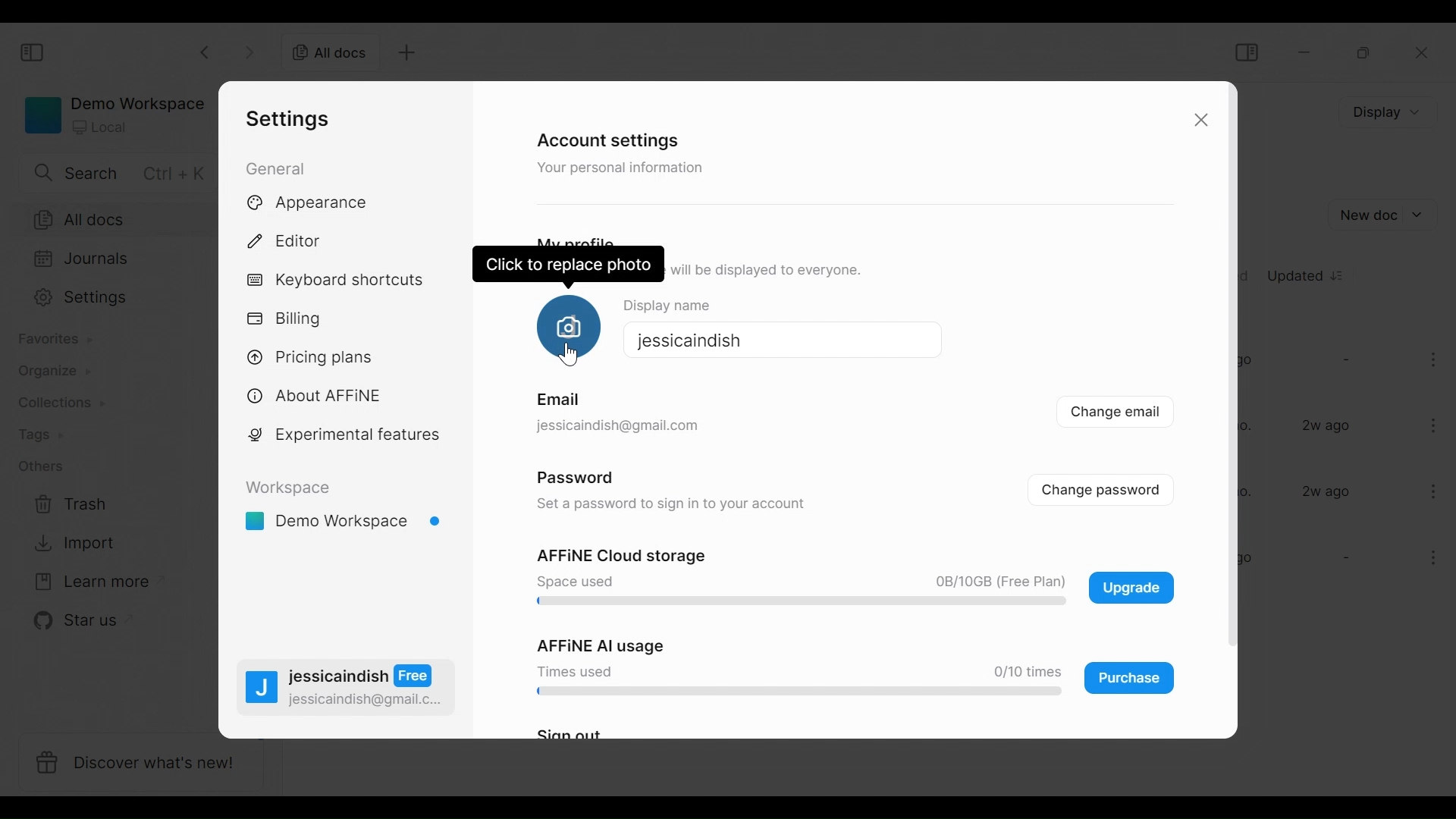  What do you see at coordinates (1112, 488) in the screenshot?
I see `Change password` at bounding box center [1112, 488].